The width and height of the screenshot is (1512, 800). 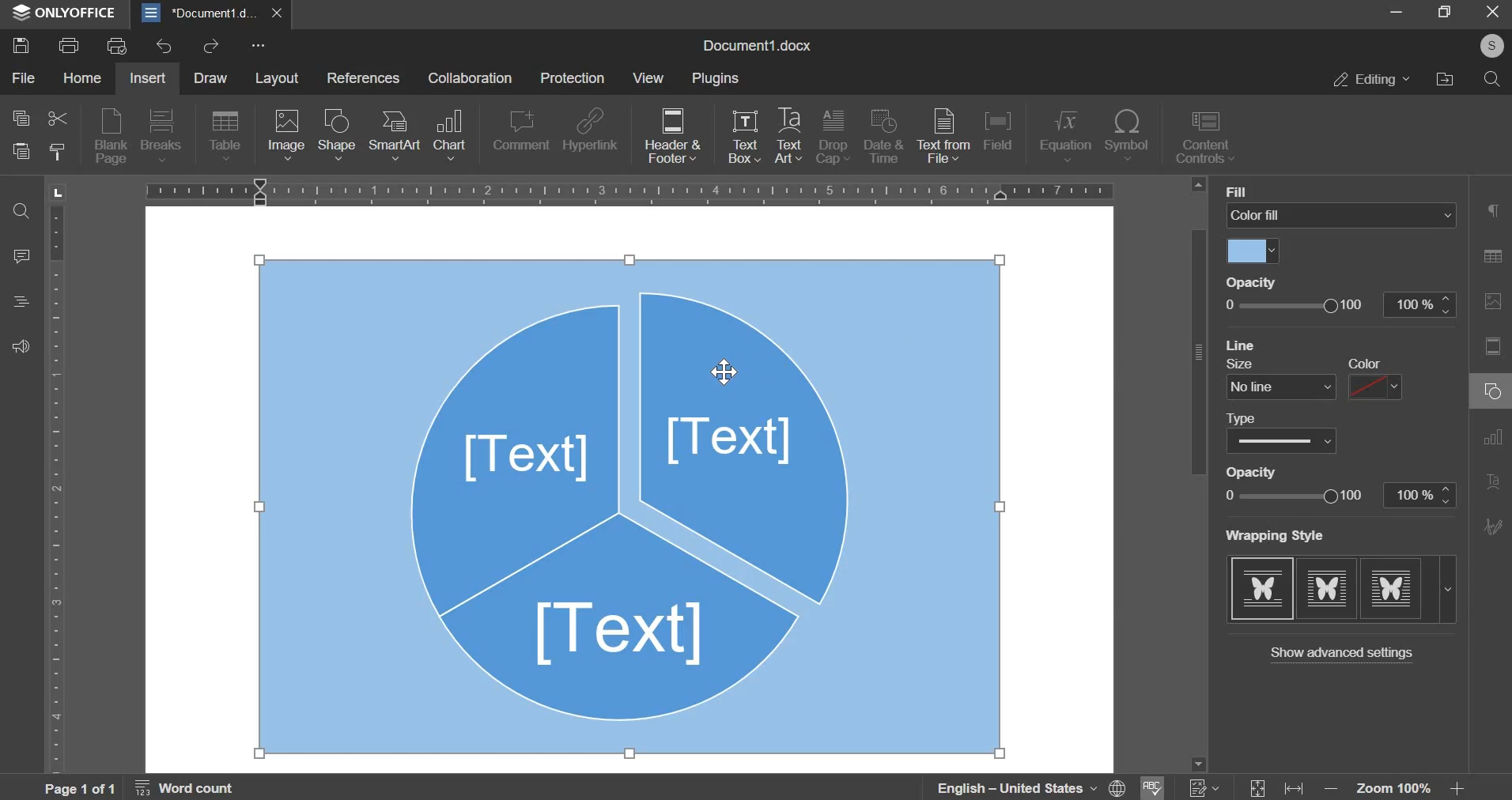 I want to click on language, so click(x=1018, y=787).